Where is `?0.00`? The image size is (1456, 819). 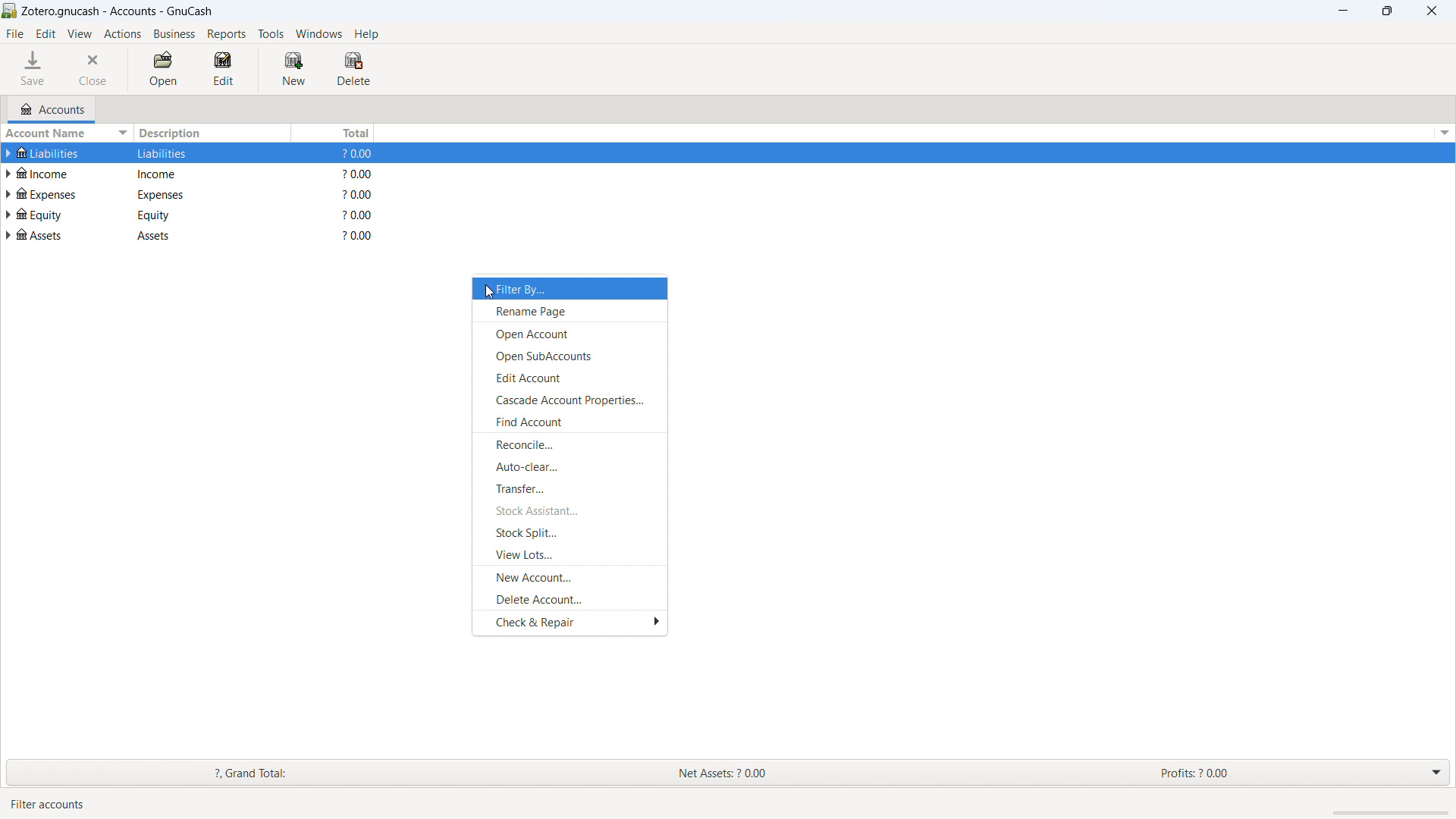
?0.00 is located at coordinates (359, 194).